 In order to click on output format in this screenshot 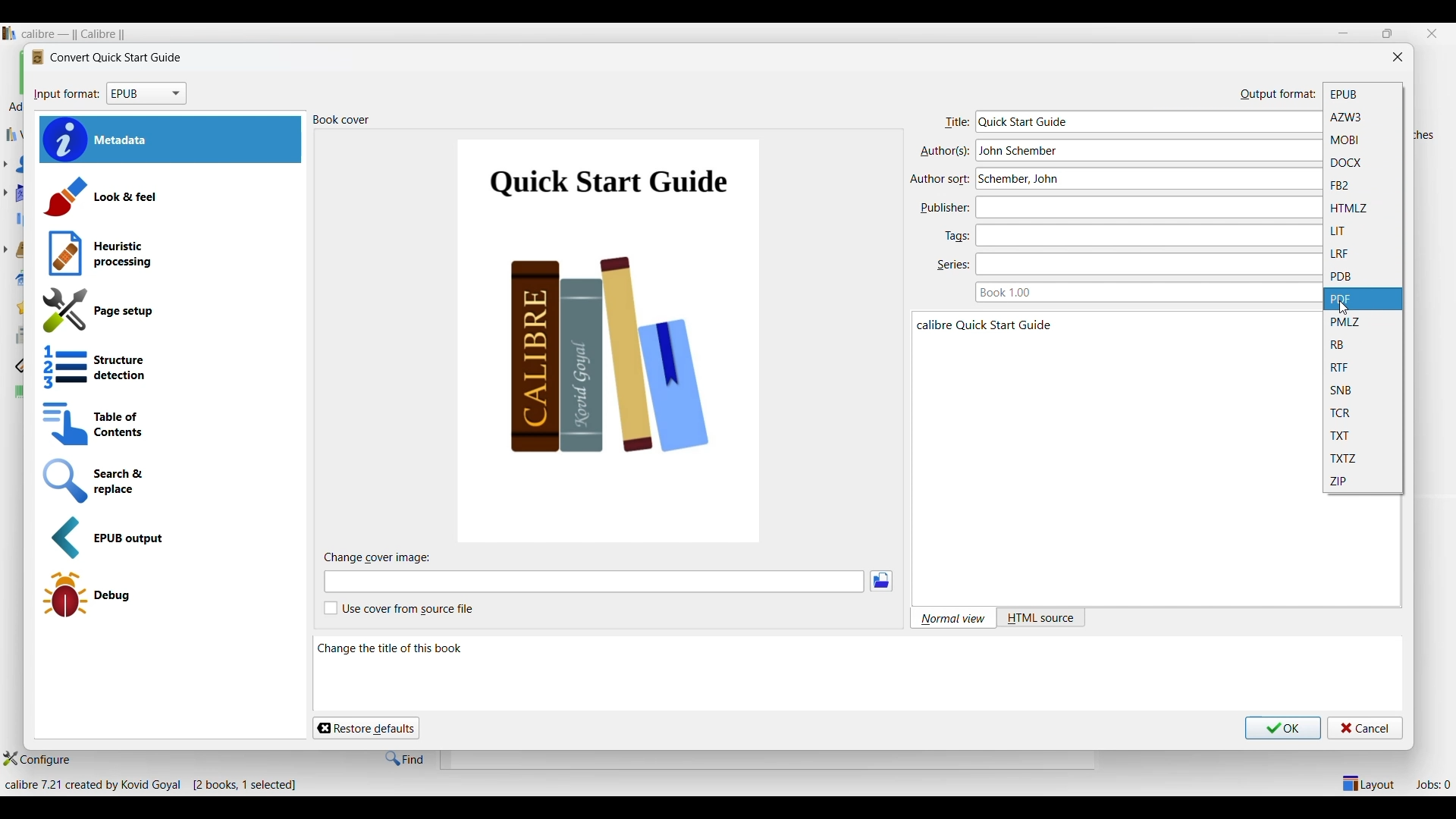, I will do `click(1278, 96)`.